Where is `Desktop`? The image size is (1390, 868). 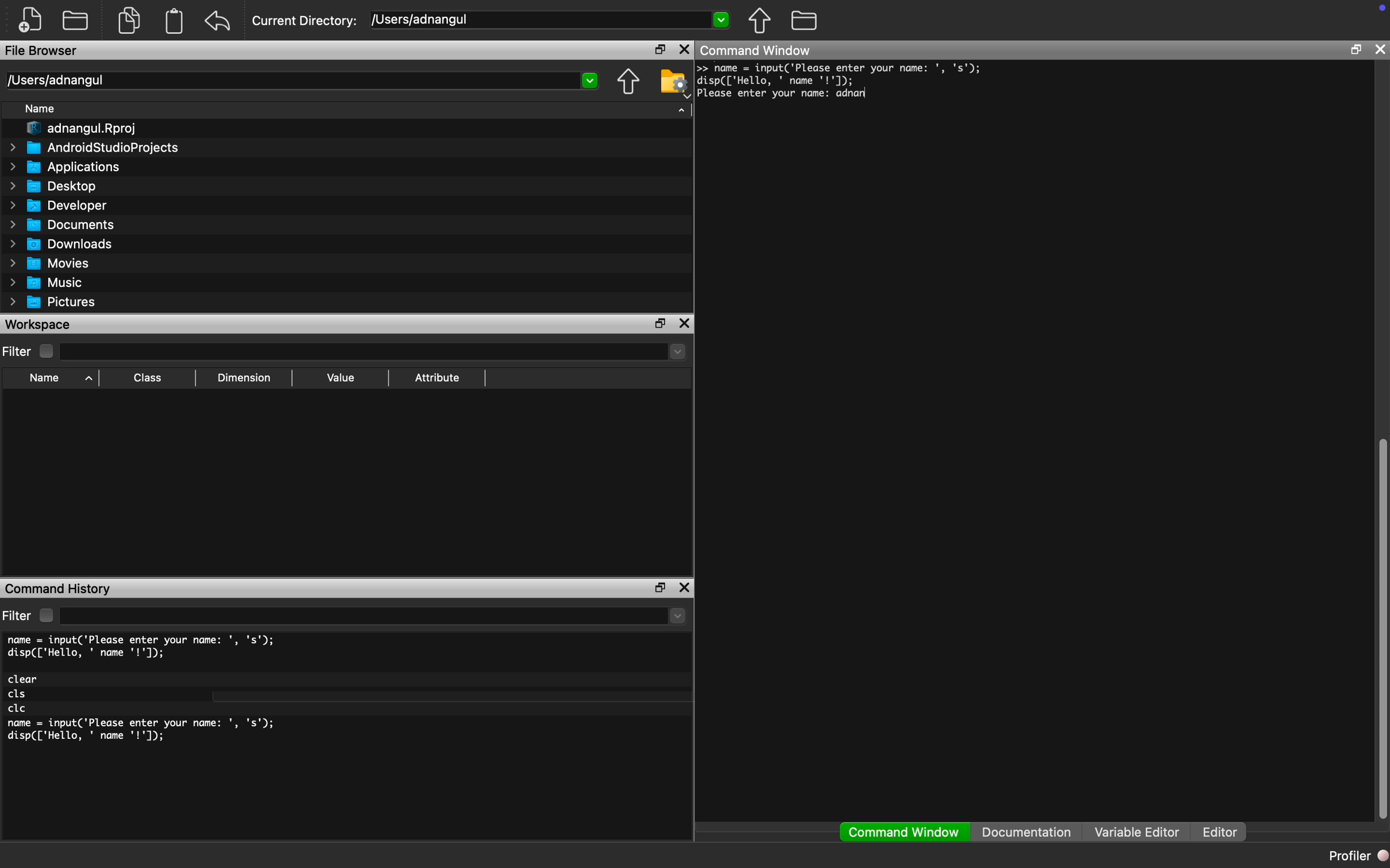 Desktop is located at coordinates (53, 187).